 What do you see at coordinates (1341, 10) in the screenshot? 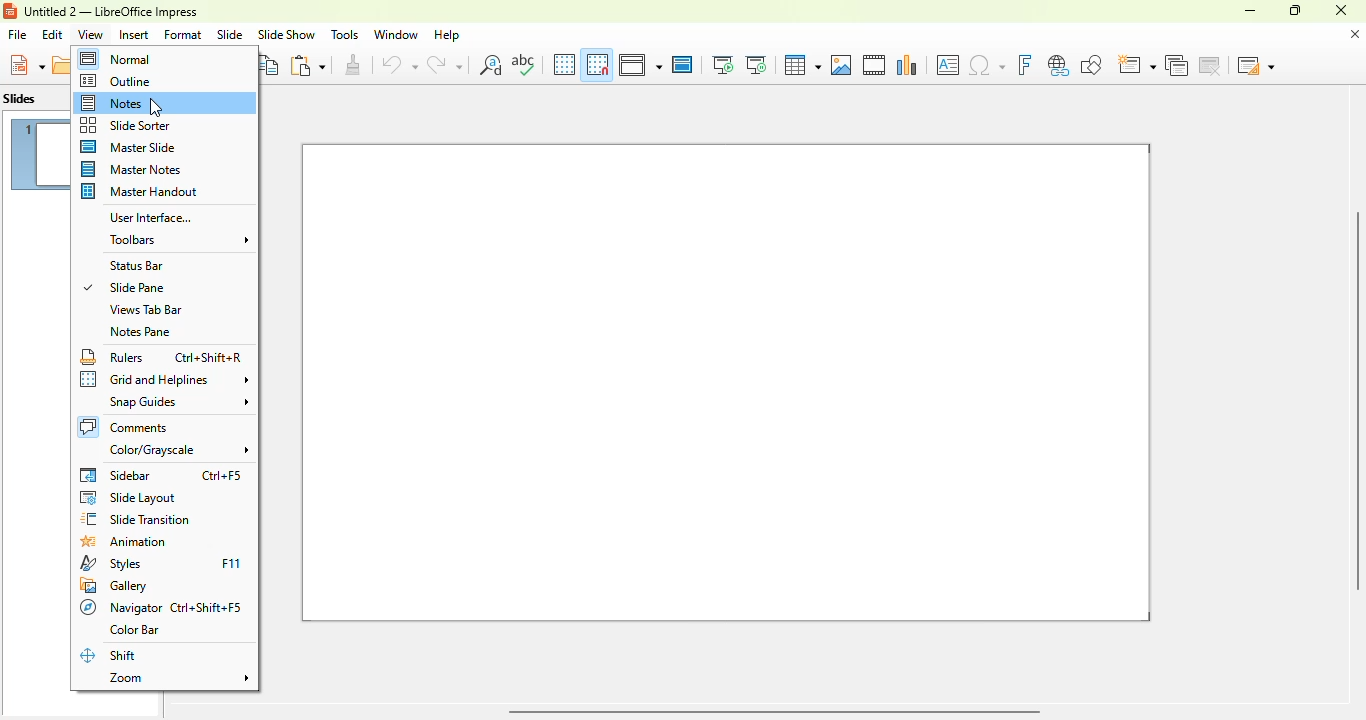
I see `close` at bounding box center [1341, 10].